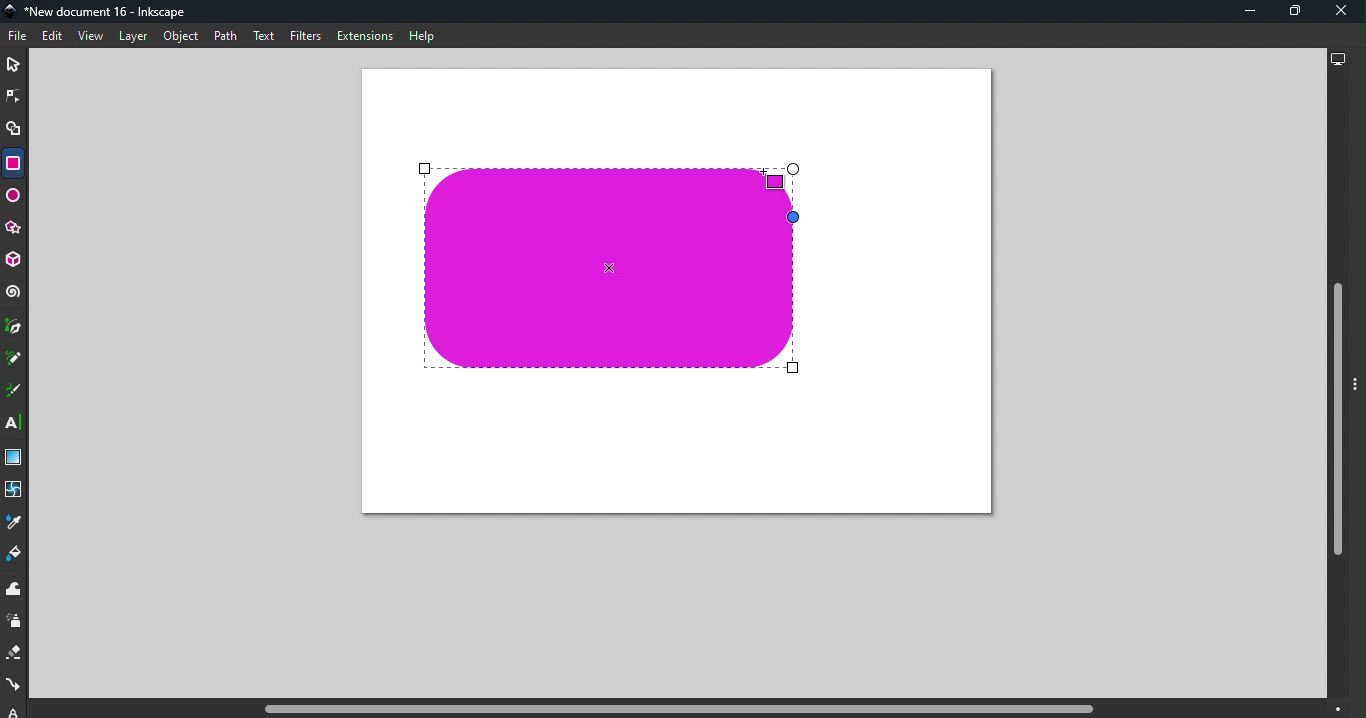 The image size is (1366, 718). Describe the element at coordinates (1336, 387) in the screenshot. I see `Vertical scroll bar` at that location.